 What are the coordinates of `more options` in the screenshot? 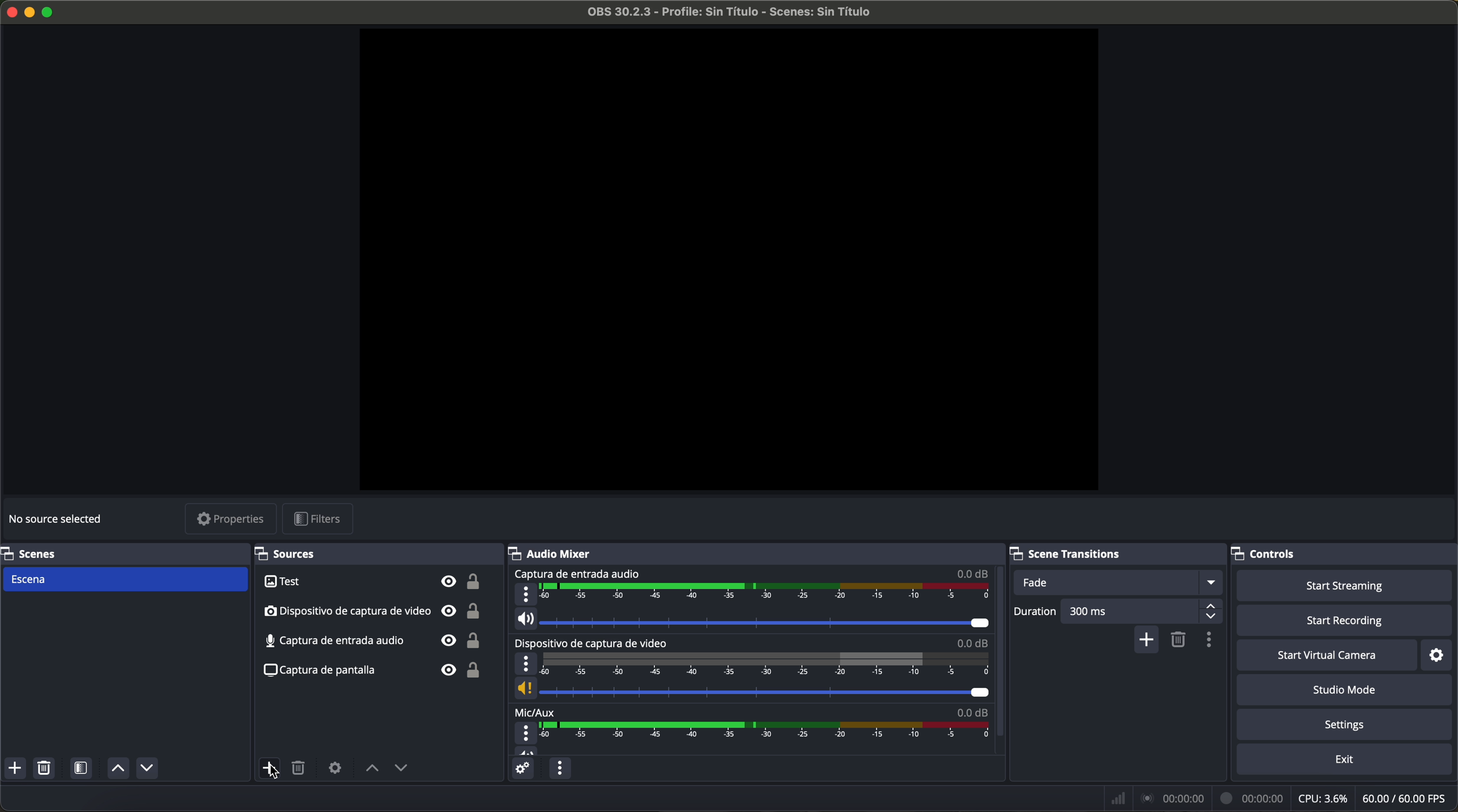 It's located at (524, 595).